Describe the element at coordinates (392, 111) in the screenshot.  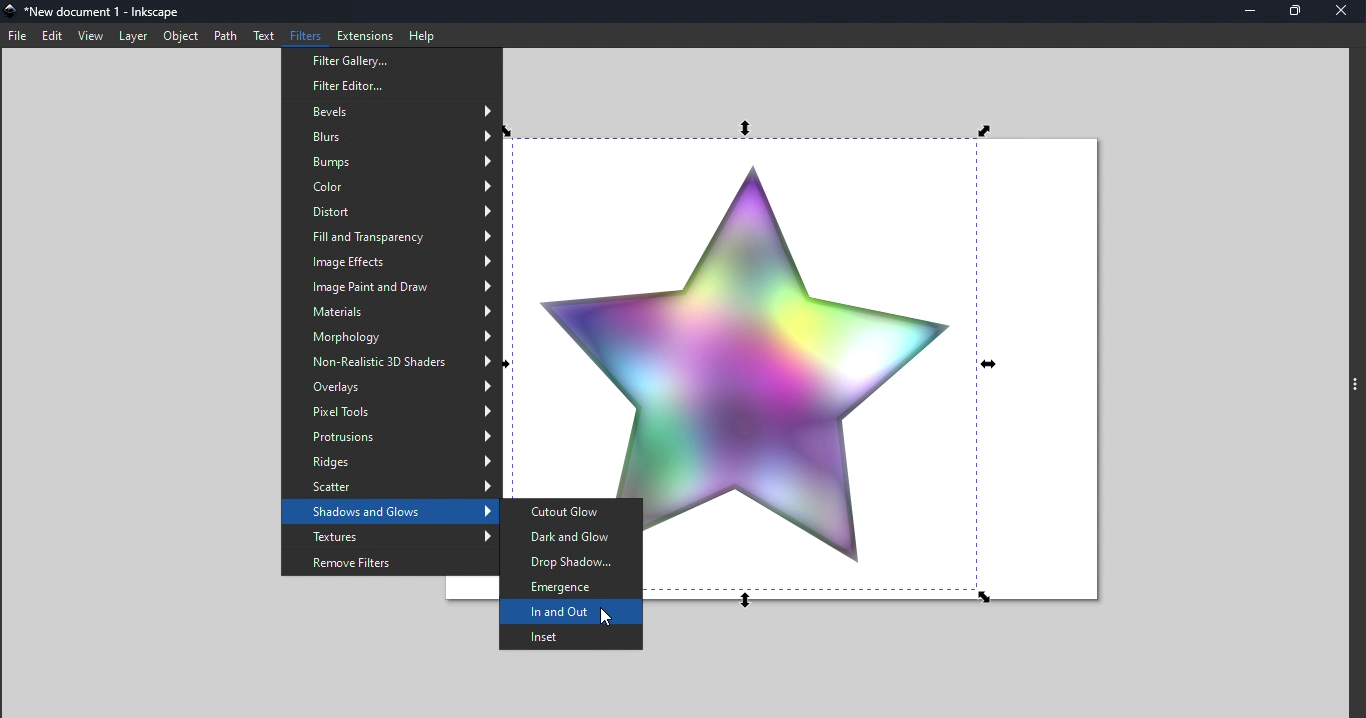
I see `Bevels` at that location.